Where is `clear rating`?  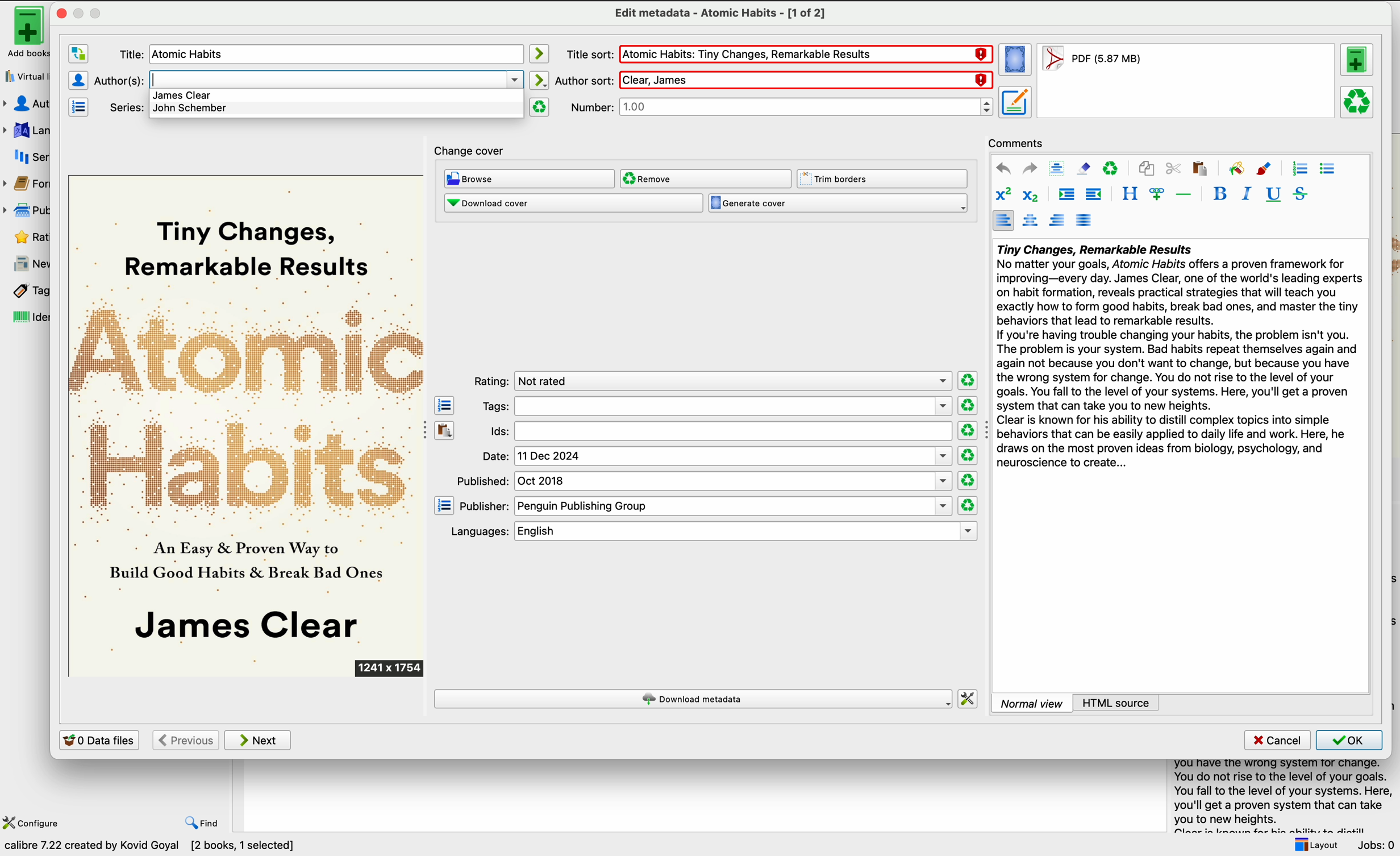 clear rating is located at coordinates (967, 379).